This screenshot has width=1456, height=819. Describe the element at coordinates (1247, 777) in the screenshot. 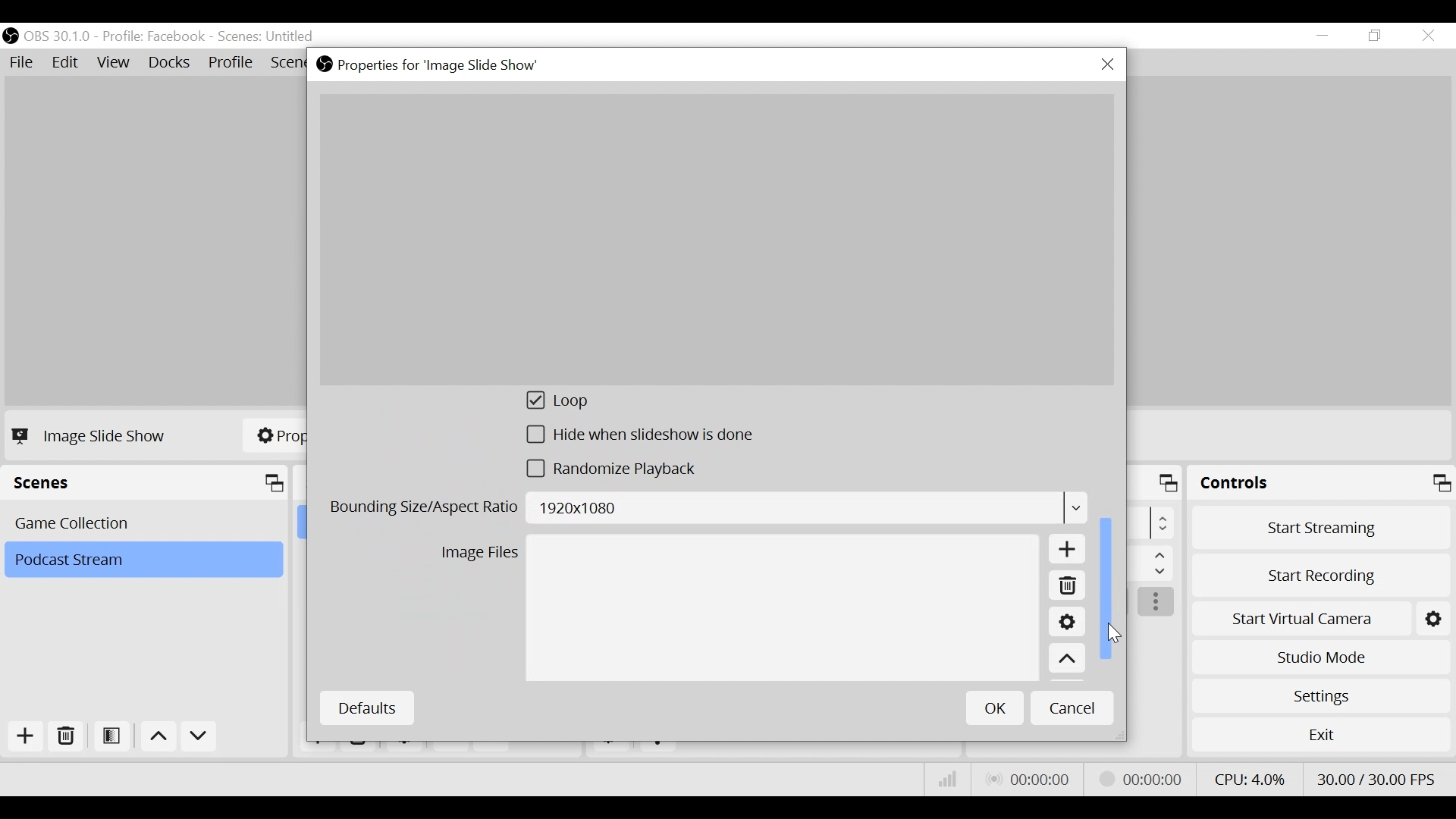

I see `CPU Usage` at that location.